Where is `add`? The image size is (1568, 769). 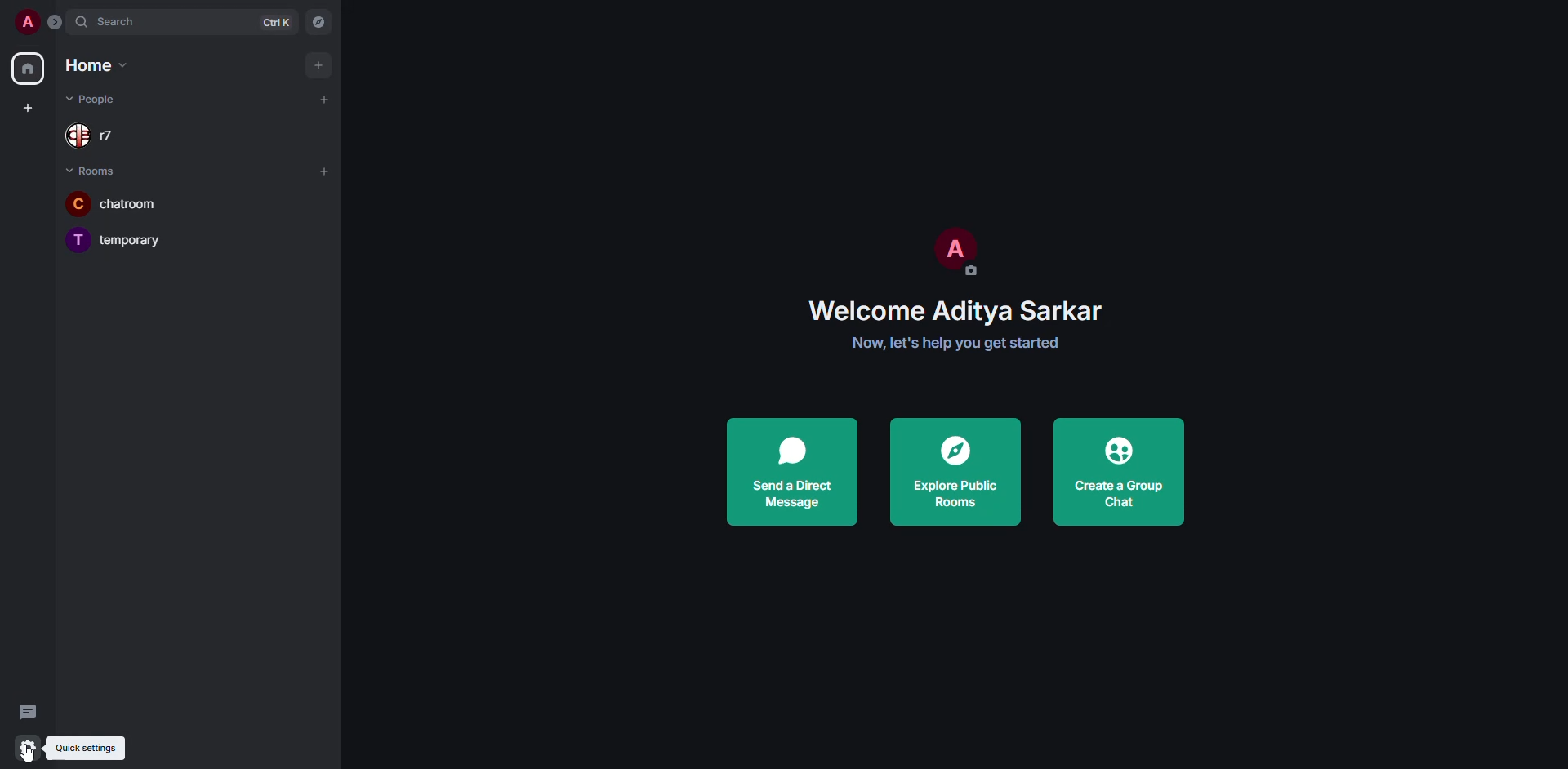
add is located at coordinates (324, 171).